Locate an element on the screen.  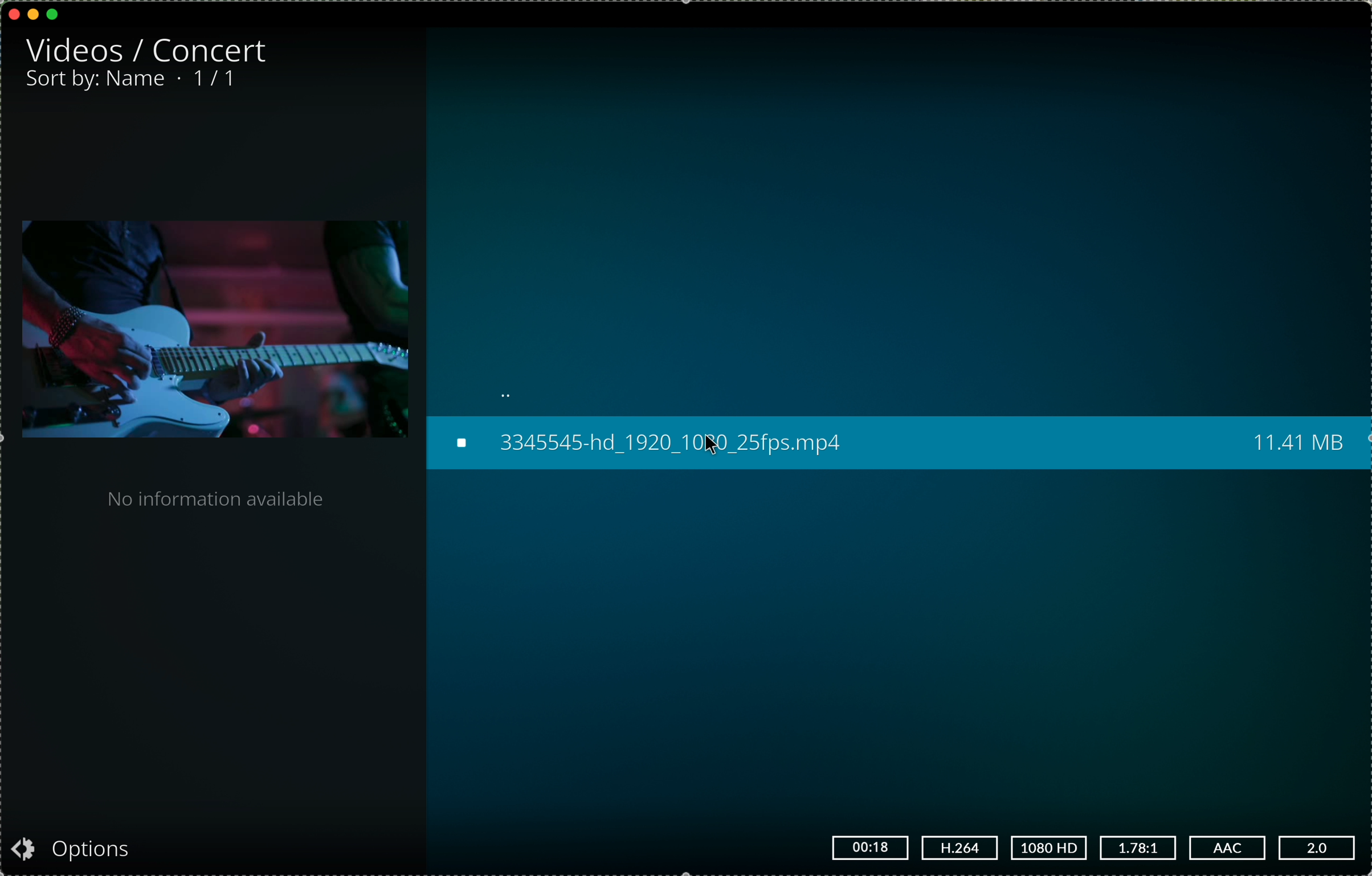
H.264 is located at coordinates (961, 849).